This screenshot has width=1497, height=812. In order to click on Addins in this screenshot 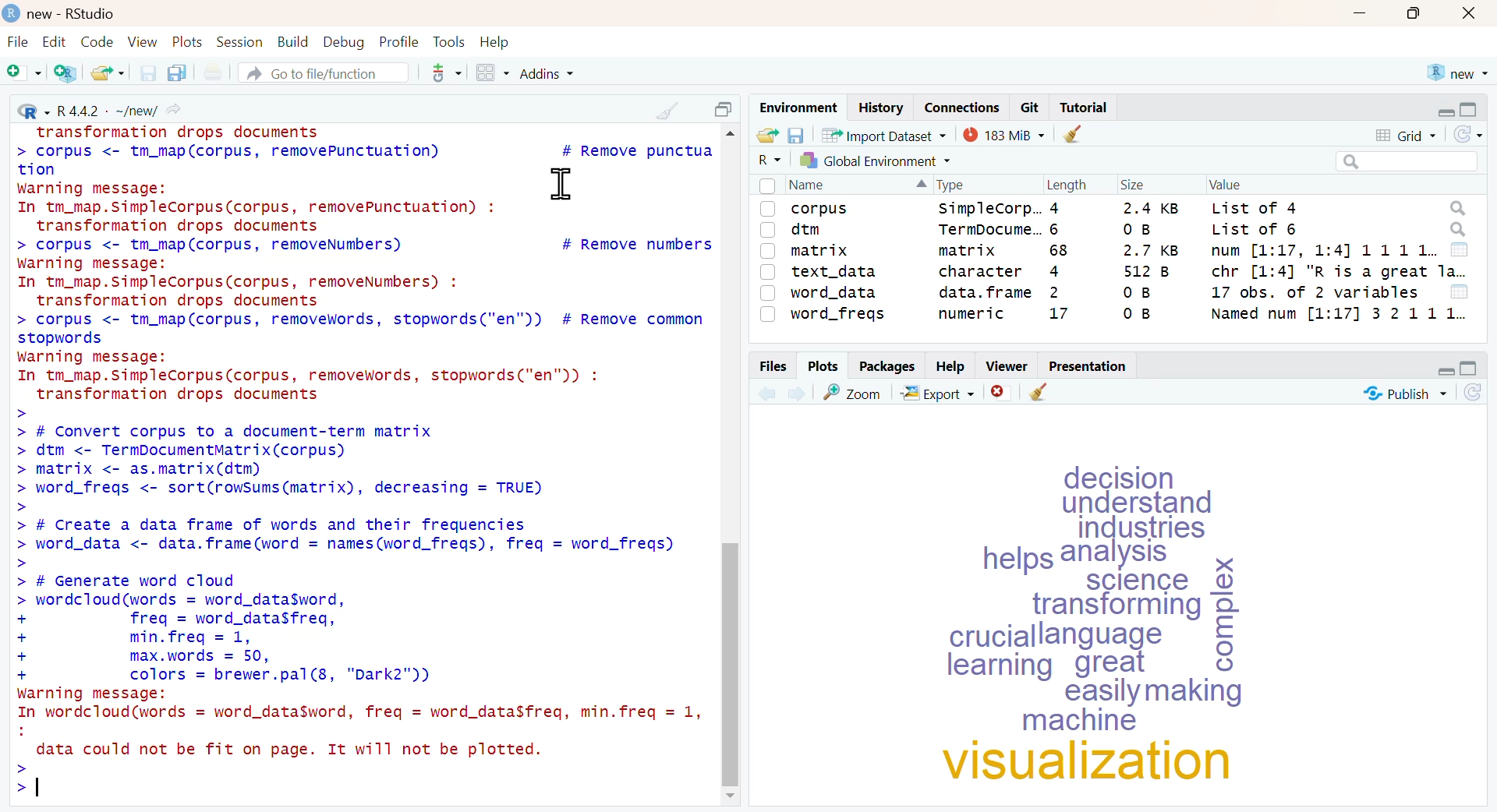, I will do `click(548, 74)`.